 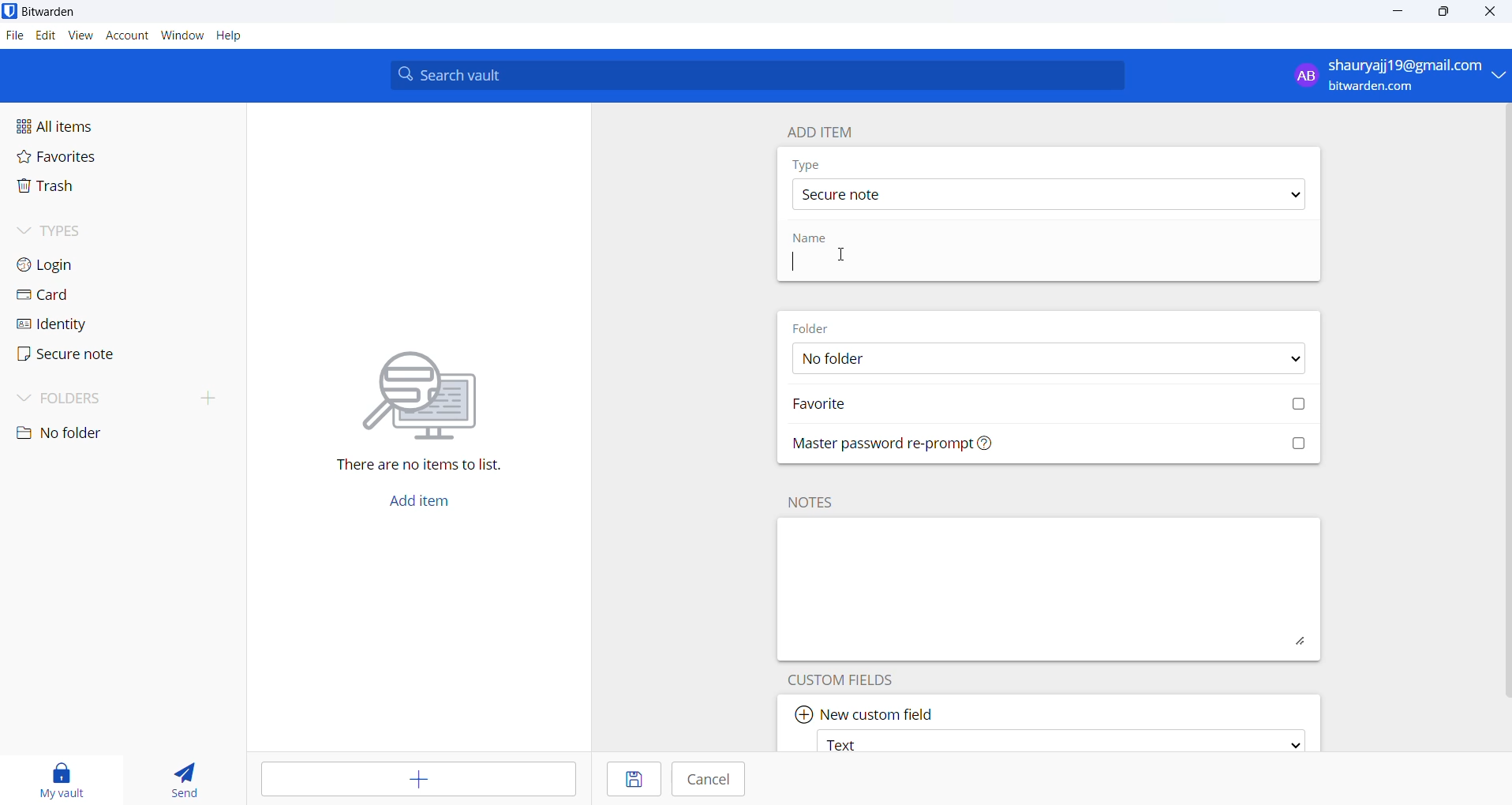 I want to click on file, so click(x=13, y=36).